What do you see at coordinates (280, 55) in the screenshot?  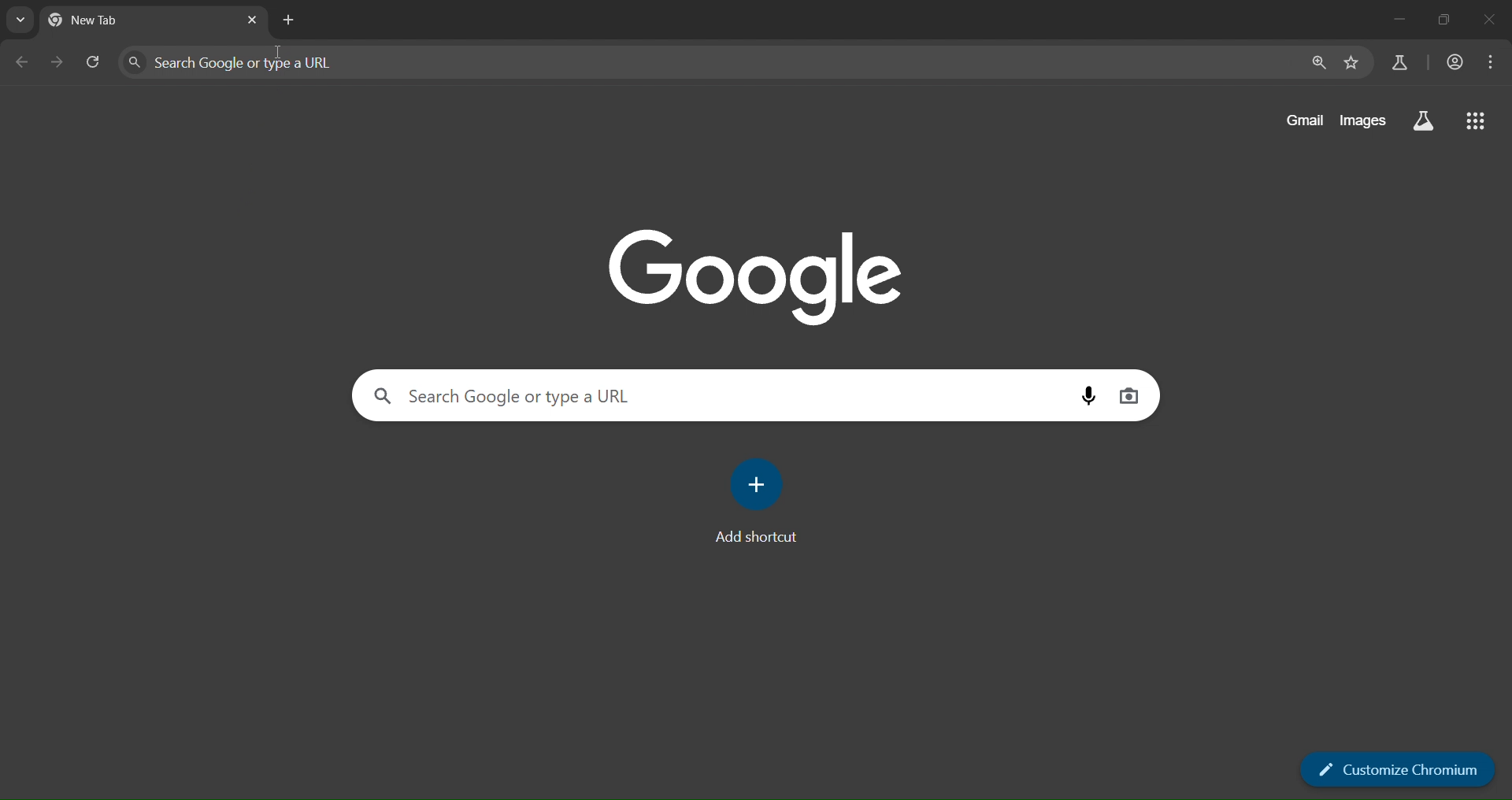 I see `cursor` at bounding box center [280, 55].